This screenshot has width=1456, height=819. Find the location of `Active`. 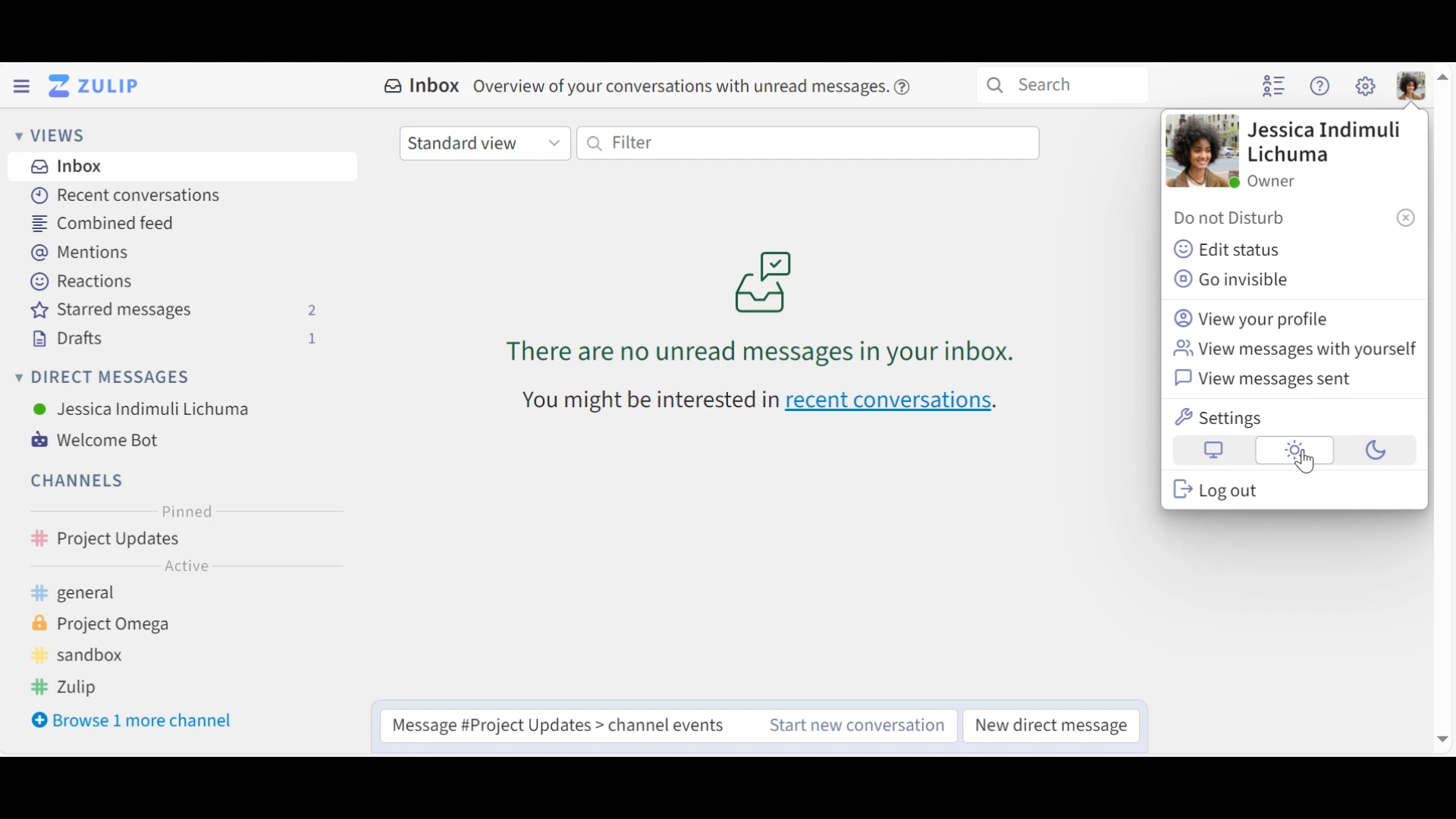

Active is located at coordinates (184, 568).